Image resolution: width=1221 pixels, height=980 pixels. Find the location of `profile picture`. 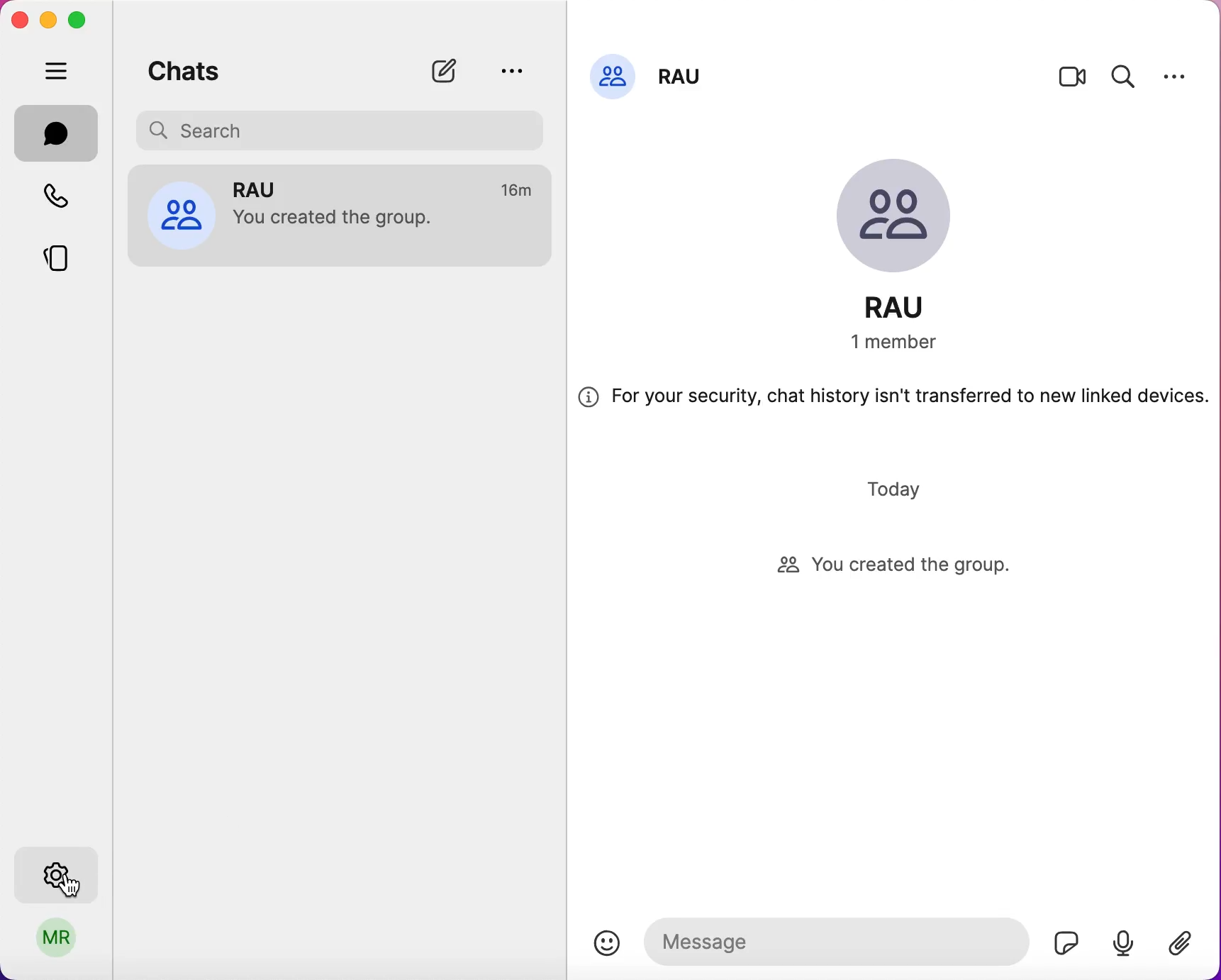

profile picture is located at coordinates (181, 213).